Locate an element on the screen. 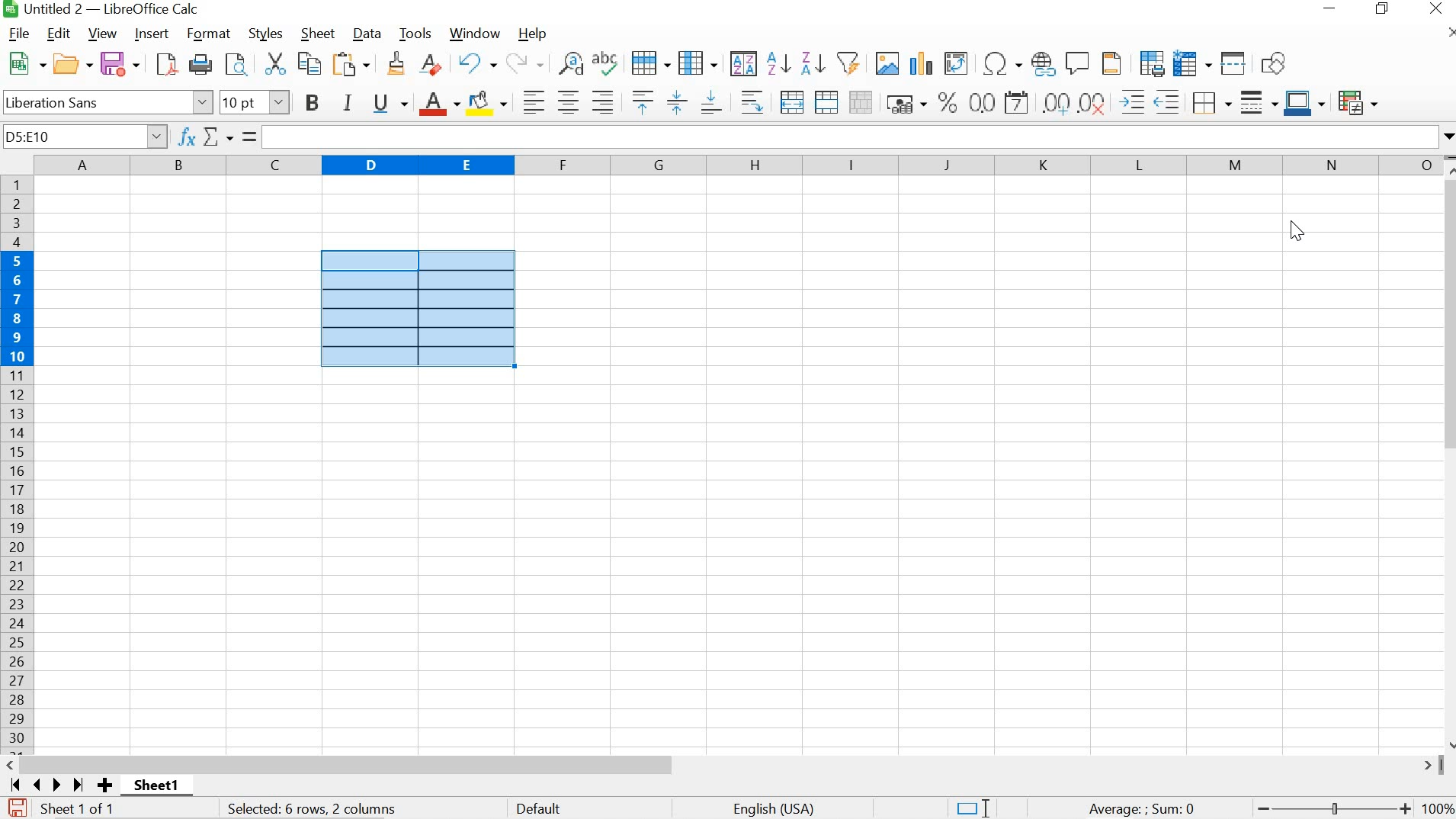 Image resolution: width=1456 pixels, height=819 pixels. add sheeT is located at coordinates (104, 785).